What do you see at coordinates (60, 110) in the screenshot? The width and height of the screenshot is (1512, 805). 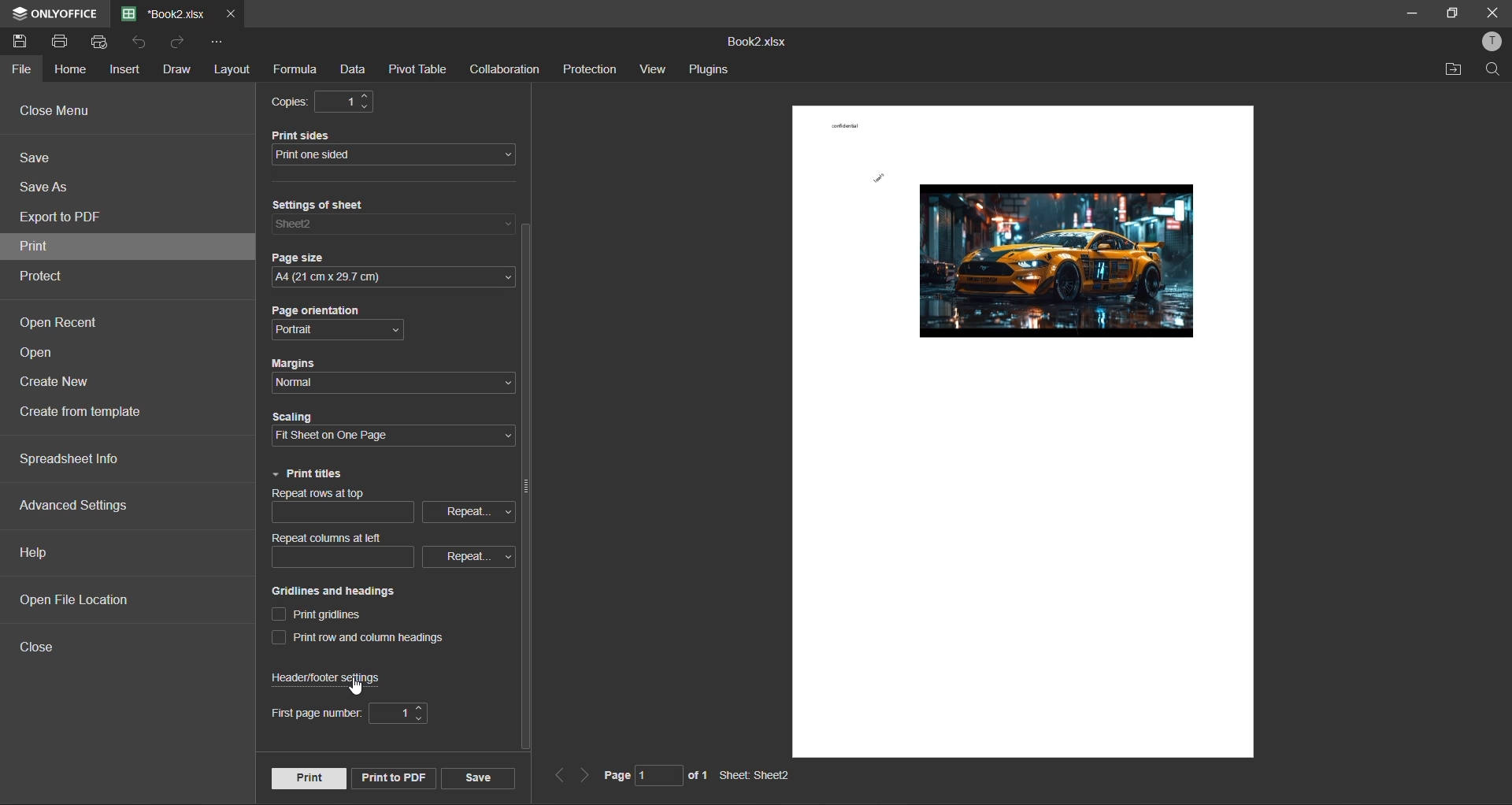 I see `close menu` at bounding box center [60, 110].